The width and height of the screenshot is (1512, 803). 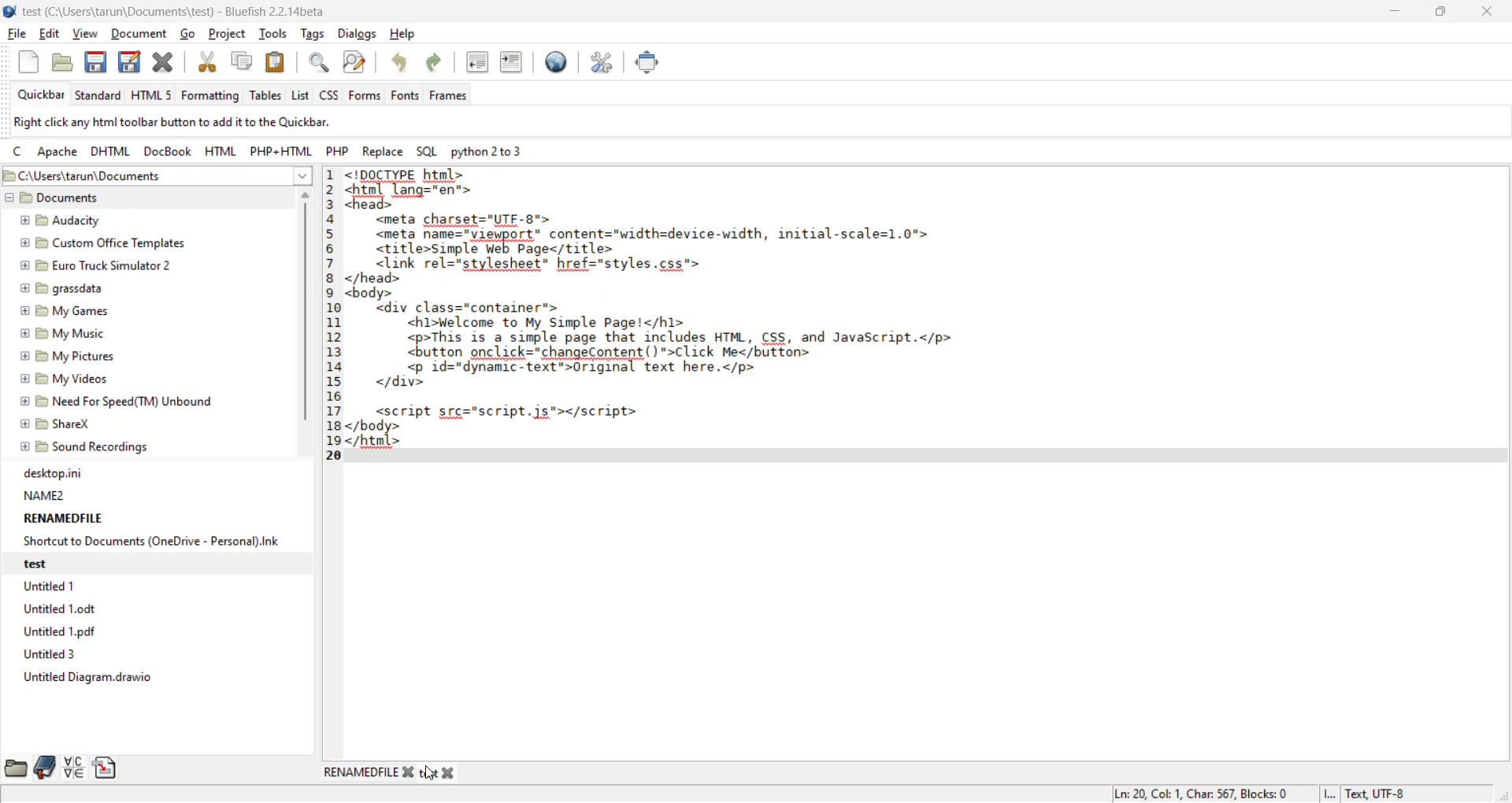 I want to click on fonts, so click(x=407, y=96).